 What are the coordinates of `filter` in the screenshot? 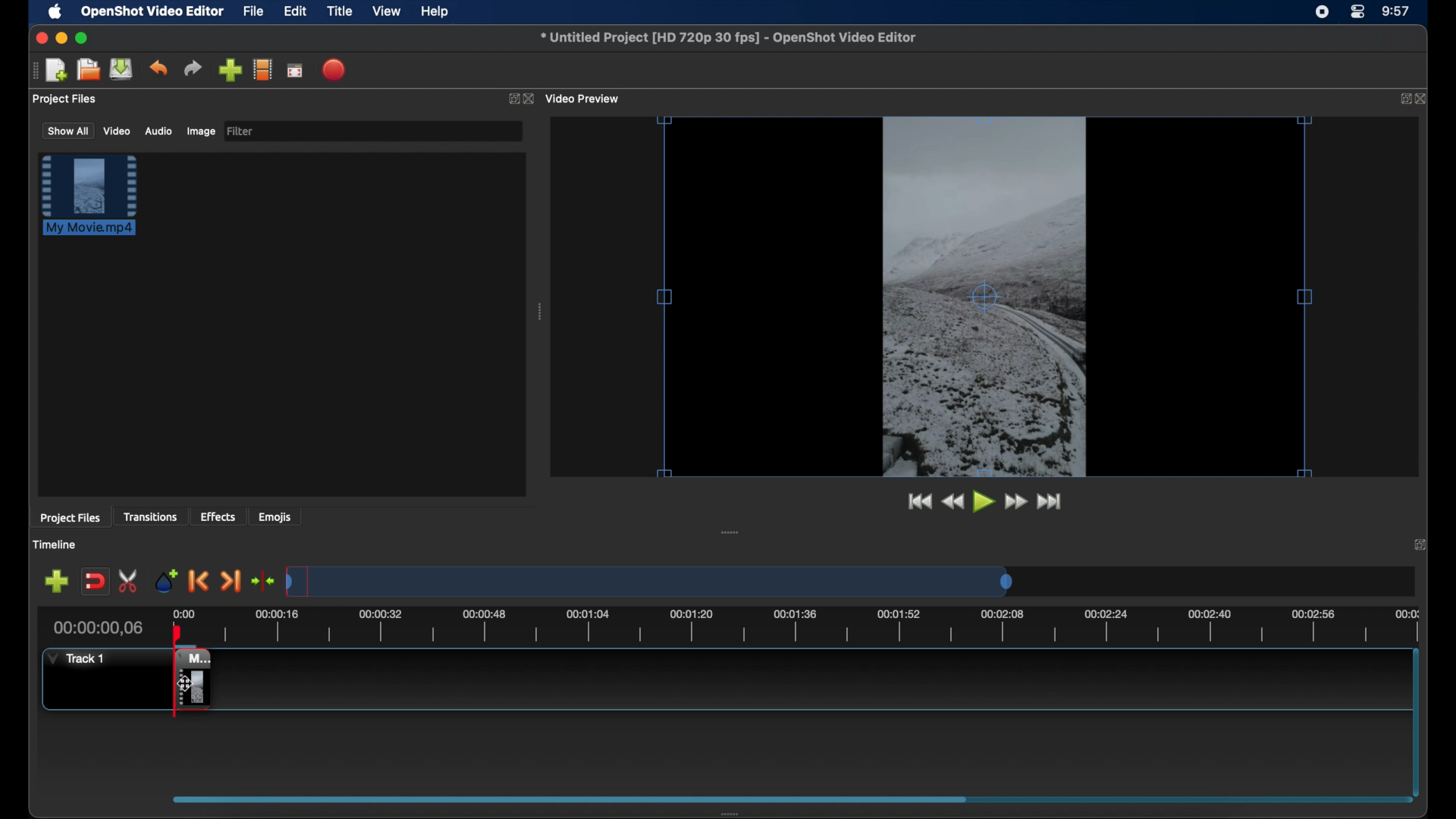 It's located at (241, 131).